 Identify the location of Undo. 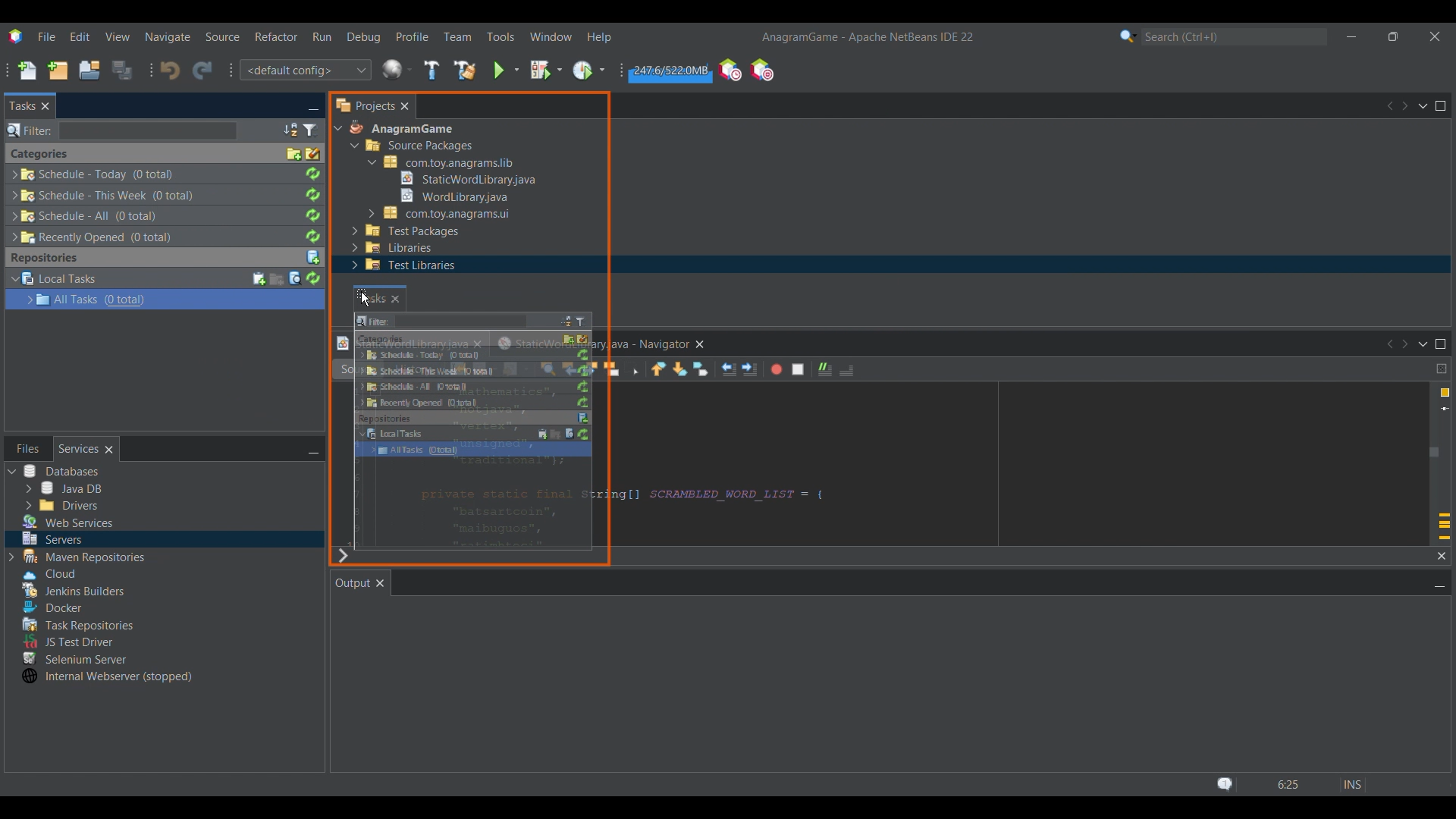
(170, 70).